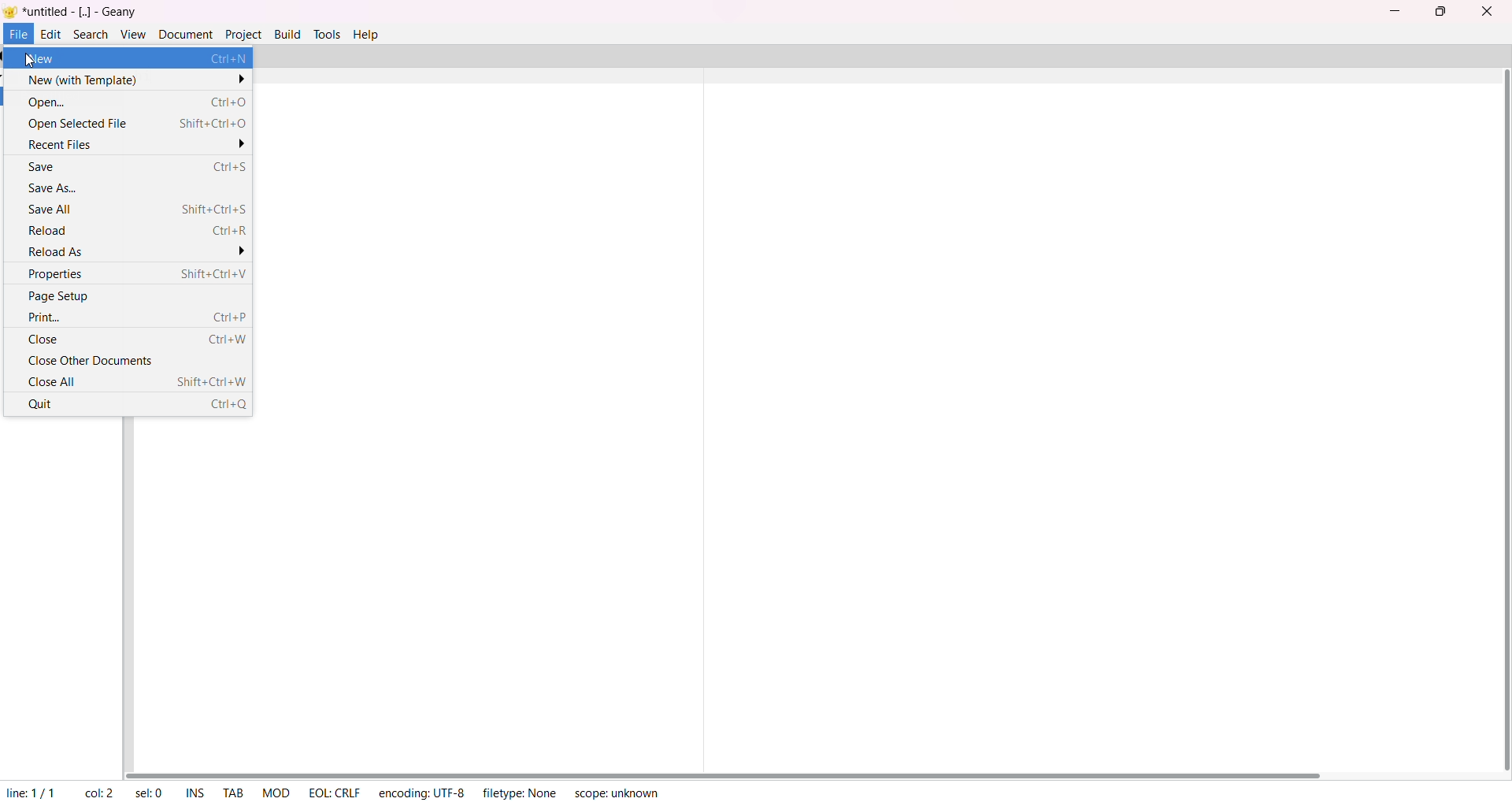  Describe the element at coordinates (136, 164) in the screenshot. I see `save Ctrl+s` at that location.